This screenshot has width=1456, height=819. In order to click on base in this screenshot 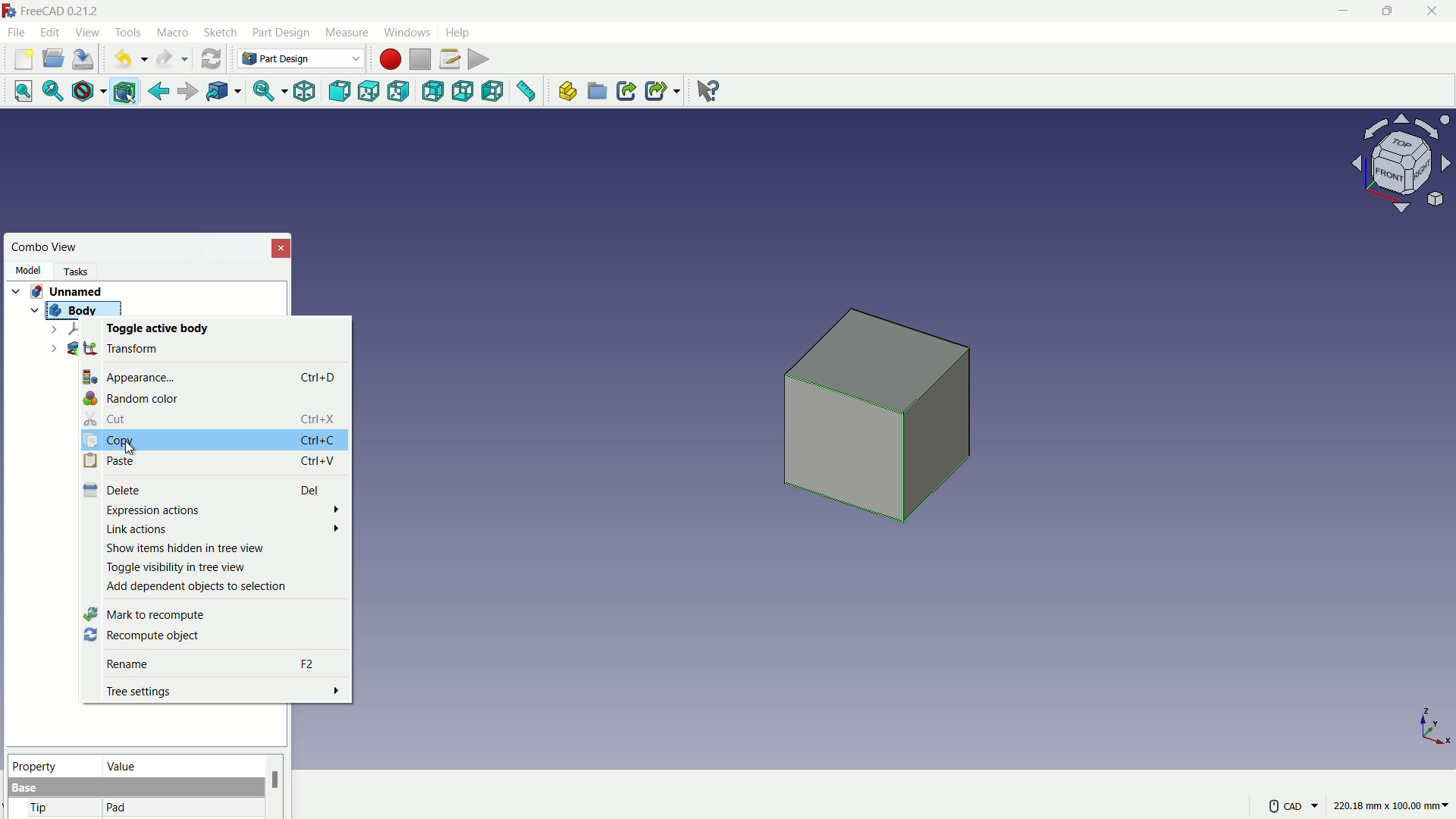, I will do `click(26, 789)`.